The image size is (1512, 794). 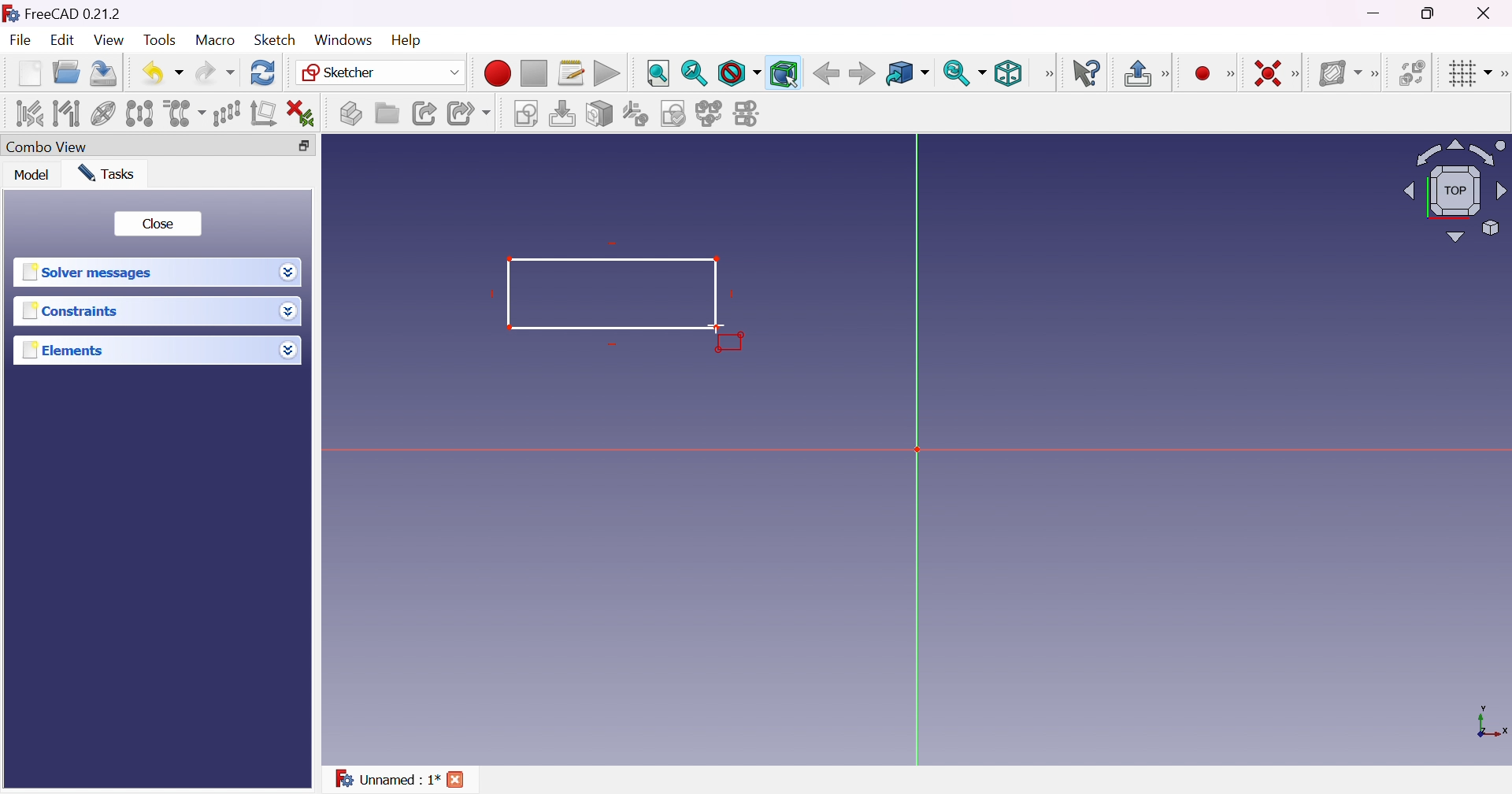 I want to click on Reorient sketch..., so click(x=634, y=114).